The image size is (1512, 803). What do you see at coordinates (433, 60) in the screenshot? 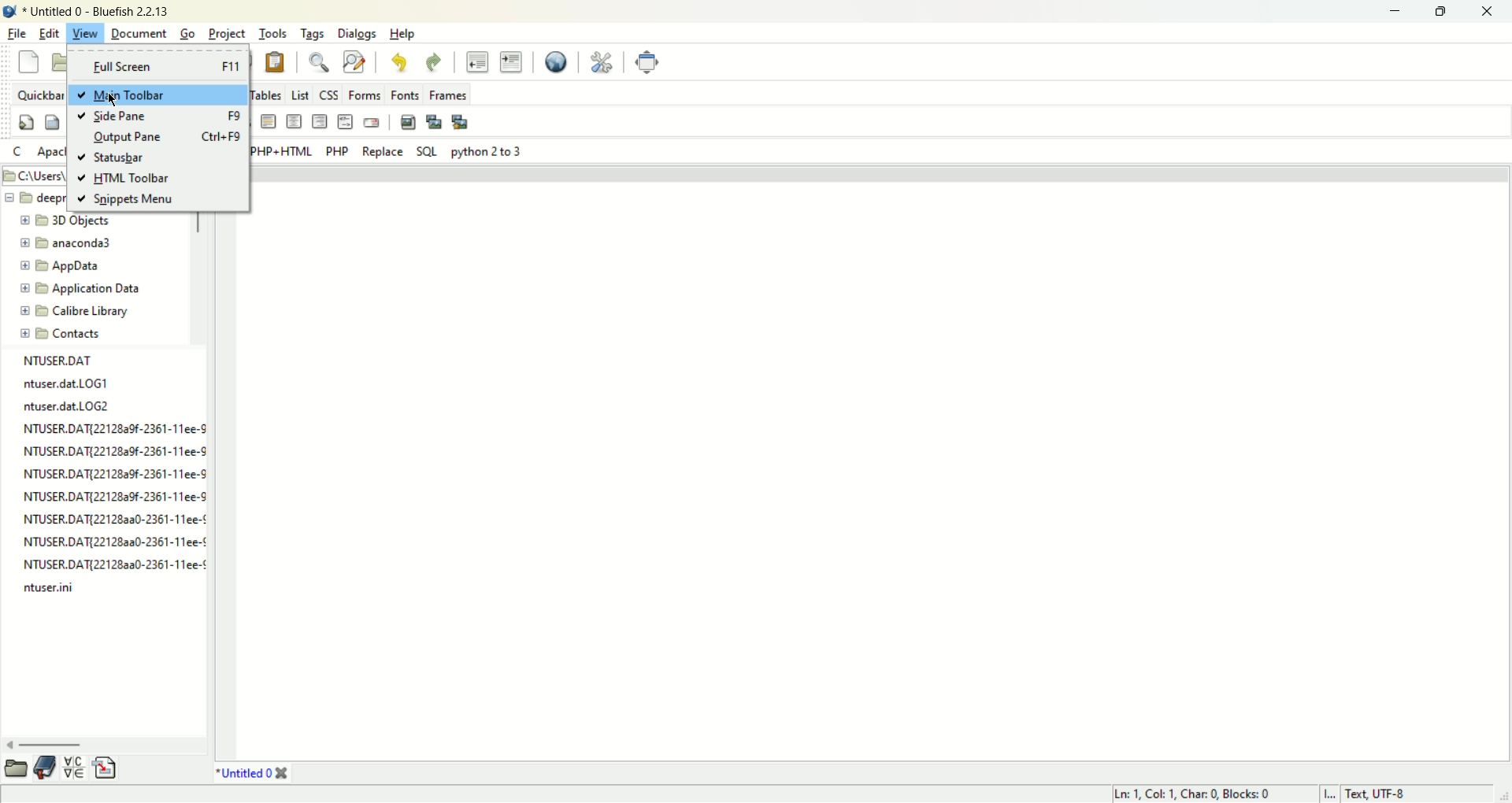
I see `redo` at bounding box center [433, 60].